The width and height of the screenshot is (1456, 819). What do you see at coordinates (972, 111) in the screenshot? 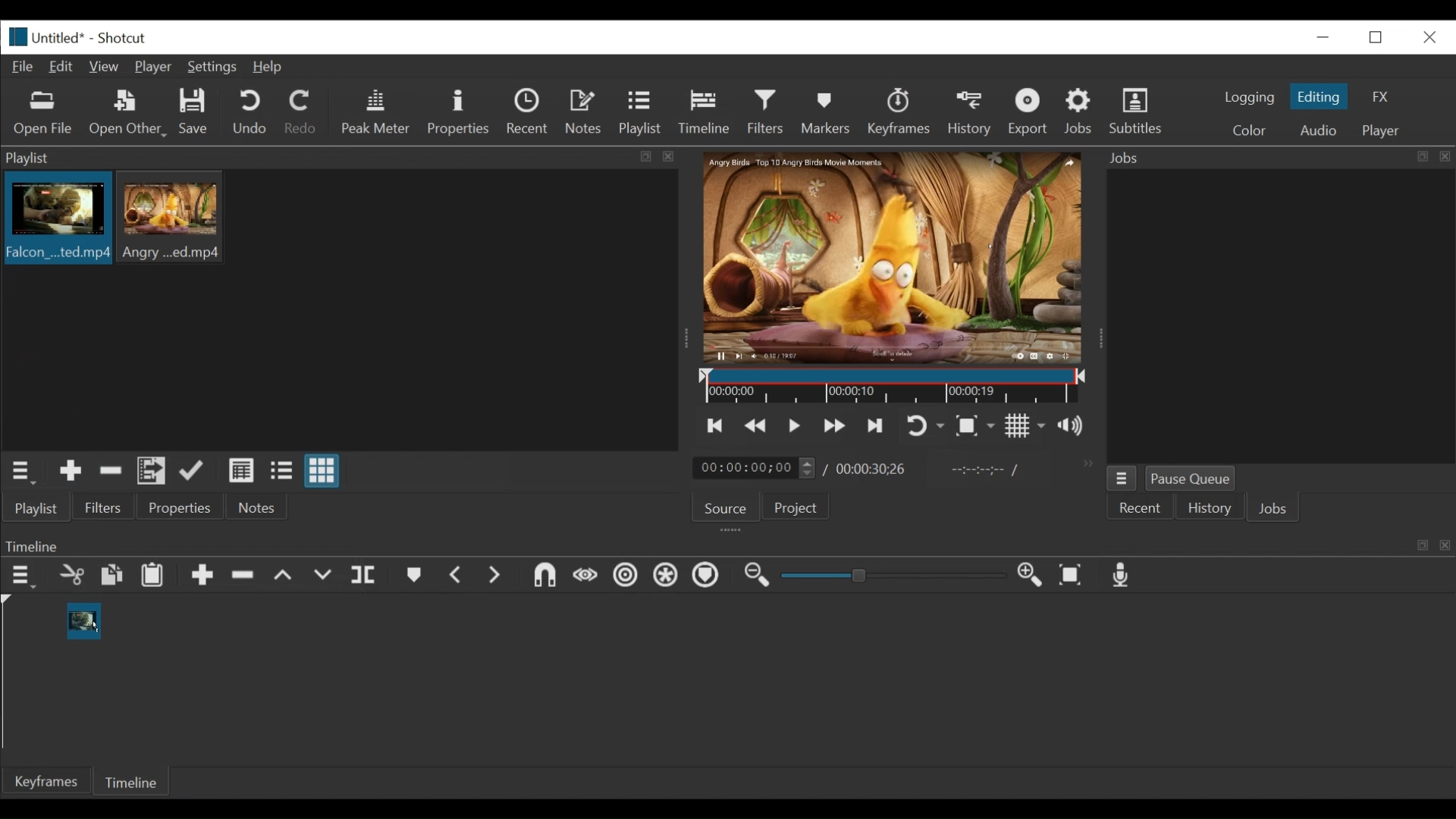
I see `History` at bounding box center [972, 111].